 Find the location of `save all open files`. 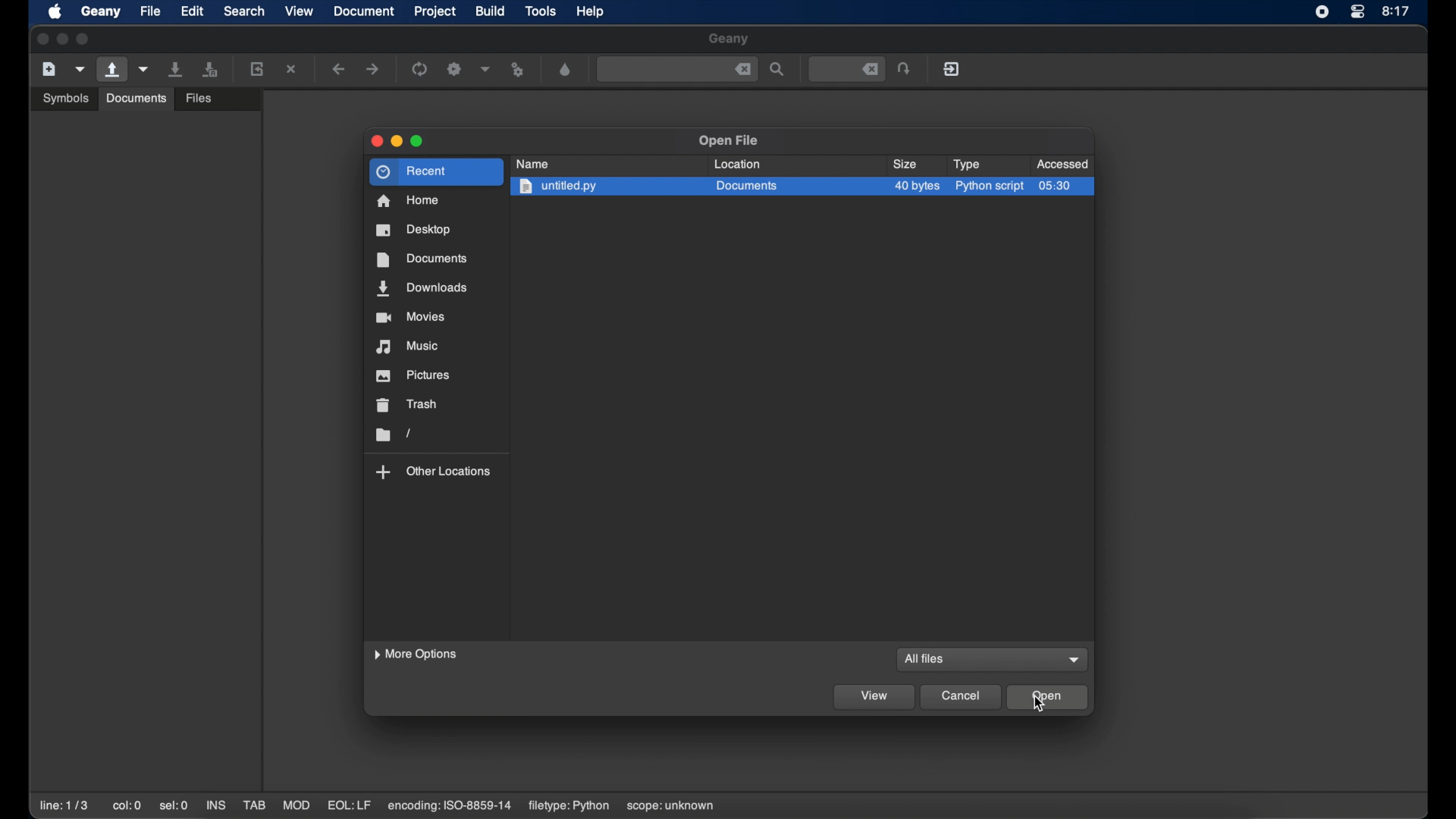

save all open files is located at coordinates (210, 69).